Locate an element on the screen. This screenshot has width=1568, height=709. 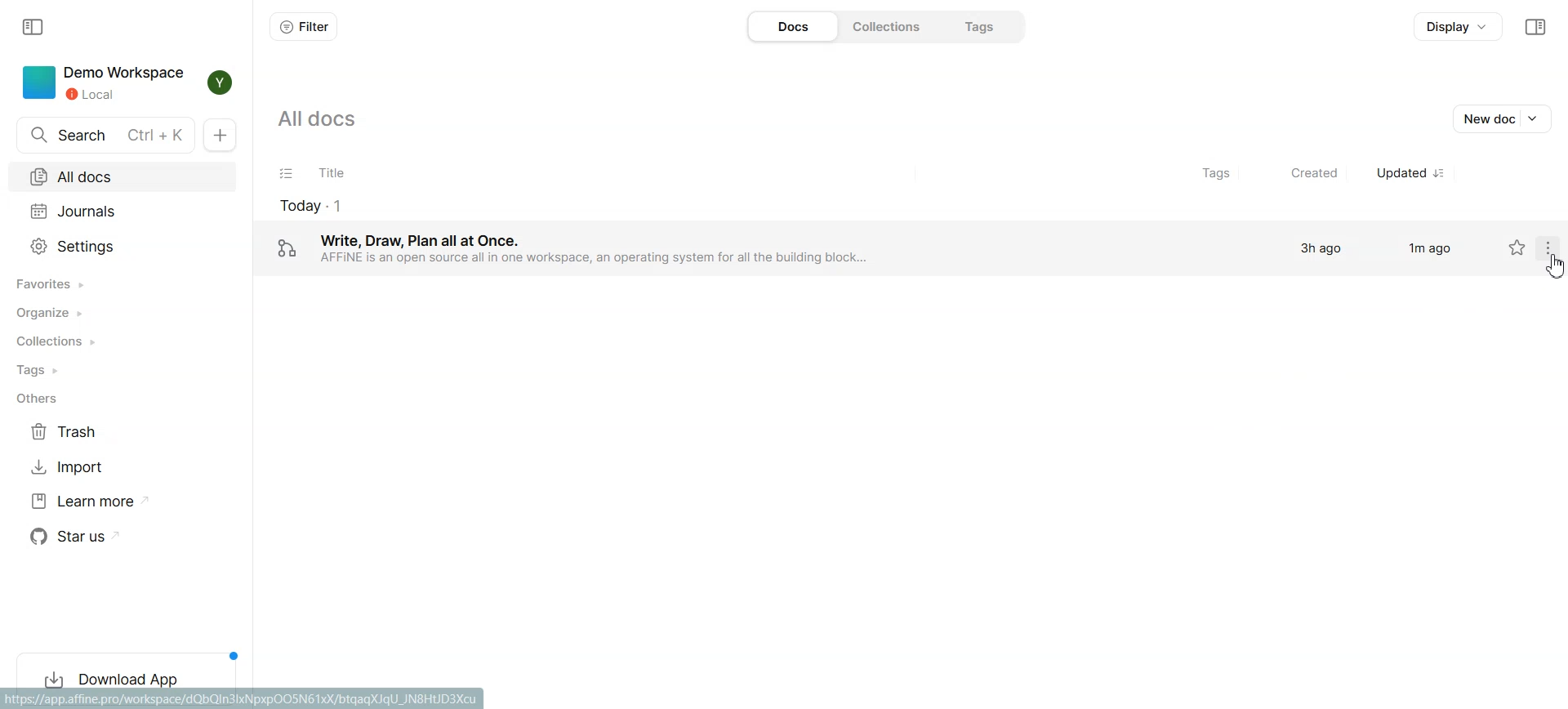
Updated sort is located at coordinates (1412, 175).